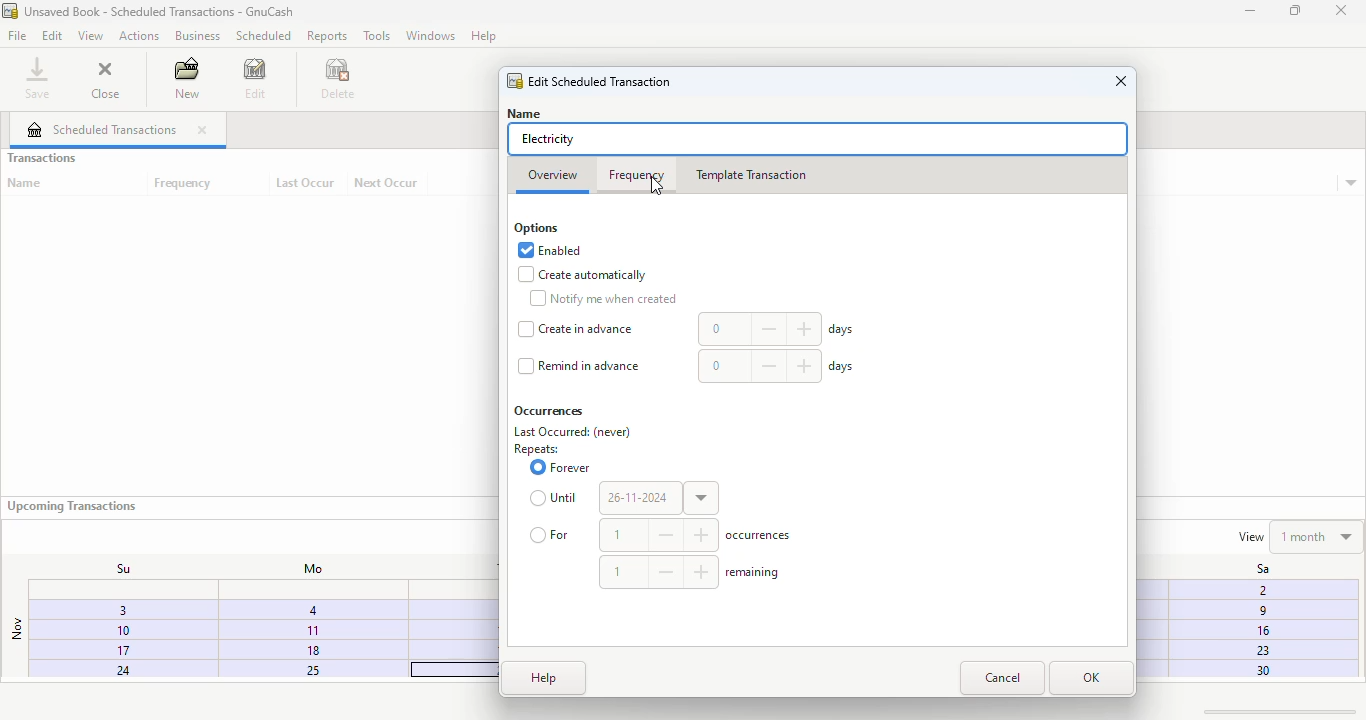 This screenshot has height=720, width=1366. What do you see at coordinates (530, 112) in the screenshot?
I see `Names` at bounding box center [530, 112].